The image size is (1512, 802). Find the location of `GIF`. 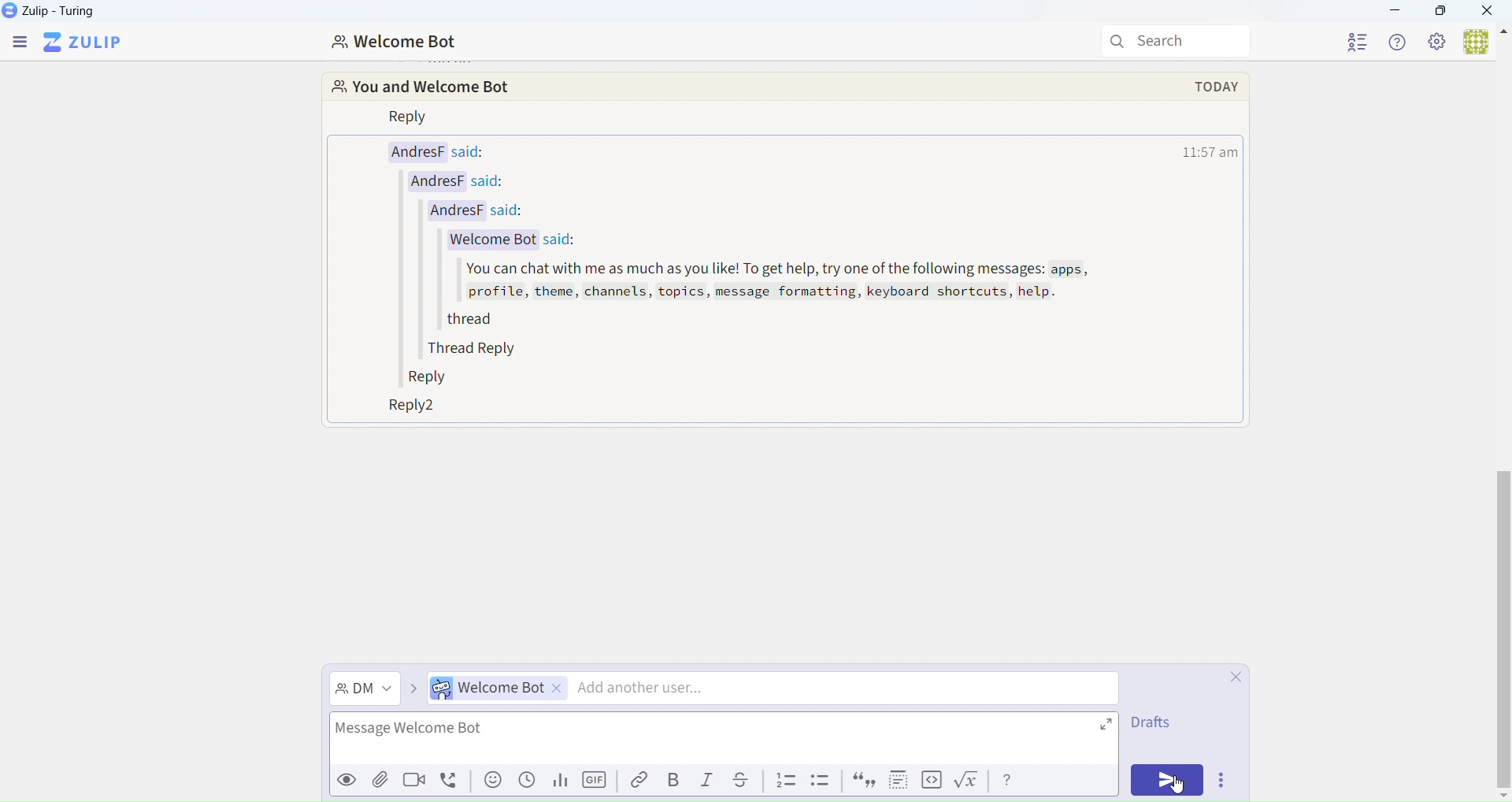

GIF is located at coordinates (594, 781).